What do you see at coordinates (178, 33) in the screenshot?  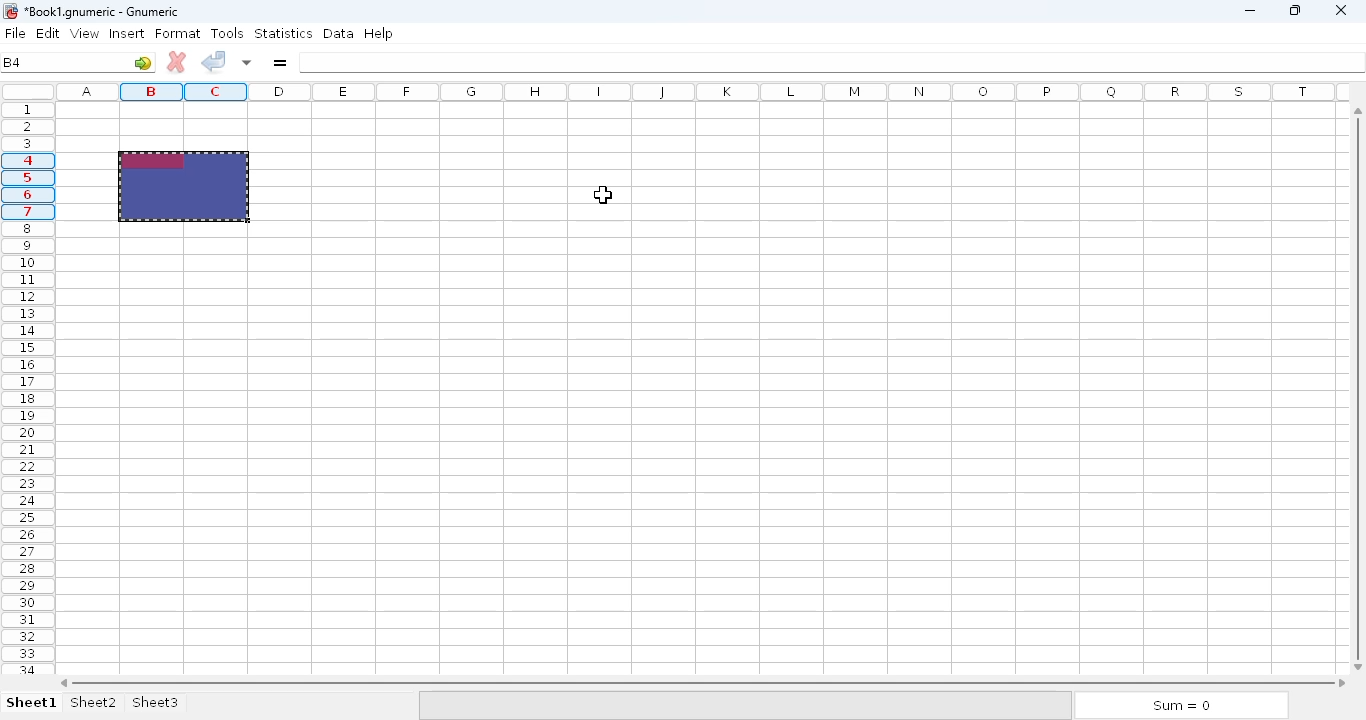 I see `format` at bounding box center [178, 33].